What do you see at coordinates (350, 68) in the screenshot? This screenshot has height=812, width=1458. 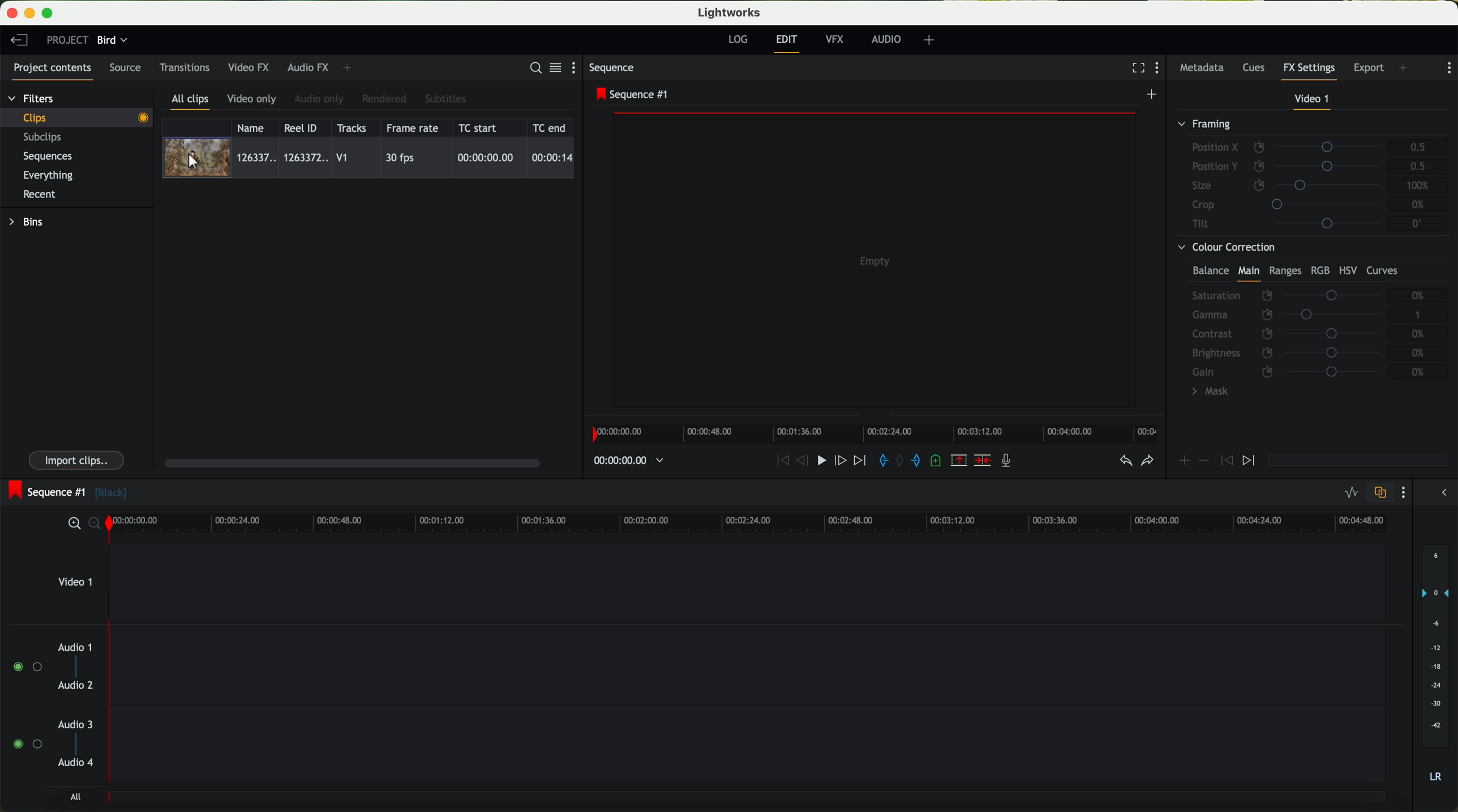 I see `add panel` at bounding box center [350, 68].